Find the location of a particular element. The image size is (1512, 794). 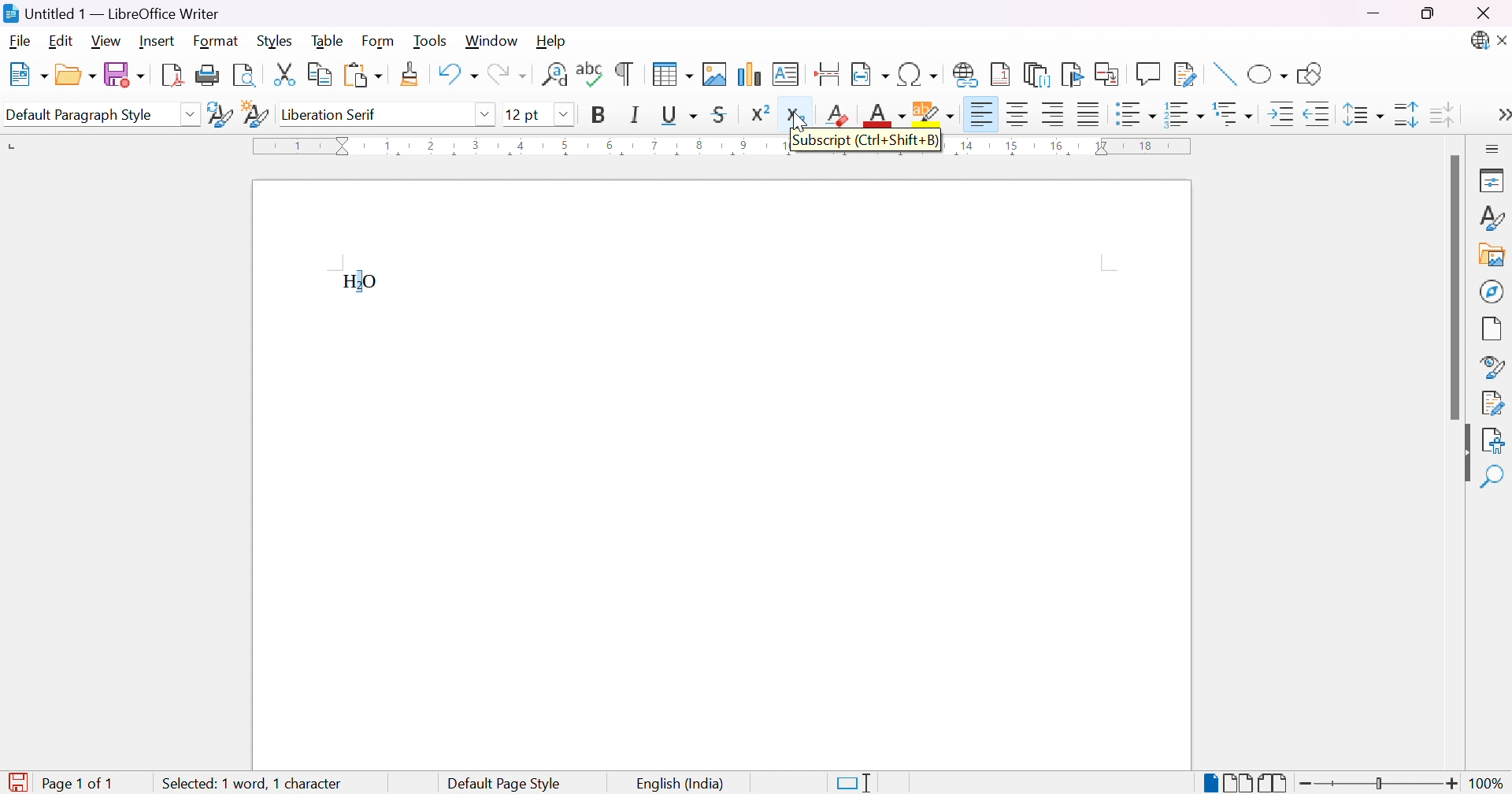

Tools is located at coordinates (433, 42).